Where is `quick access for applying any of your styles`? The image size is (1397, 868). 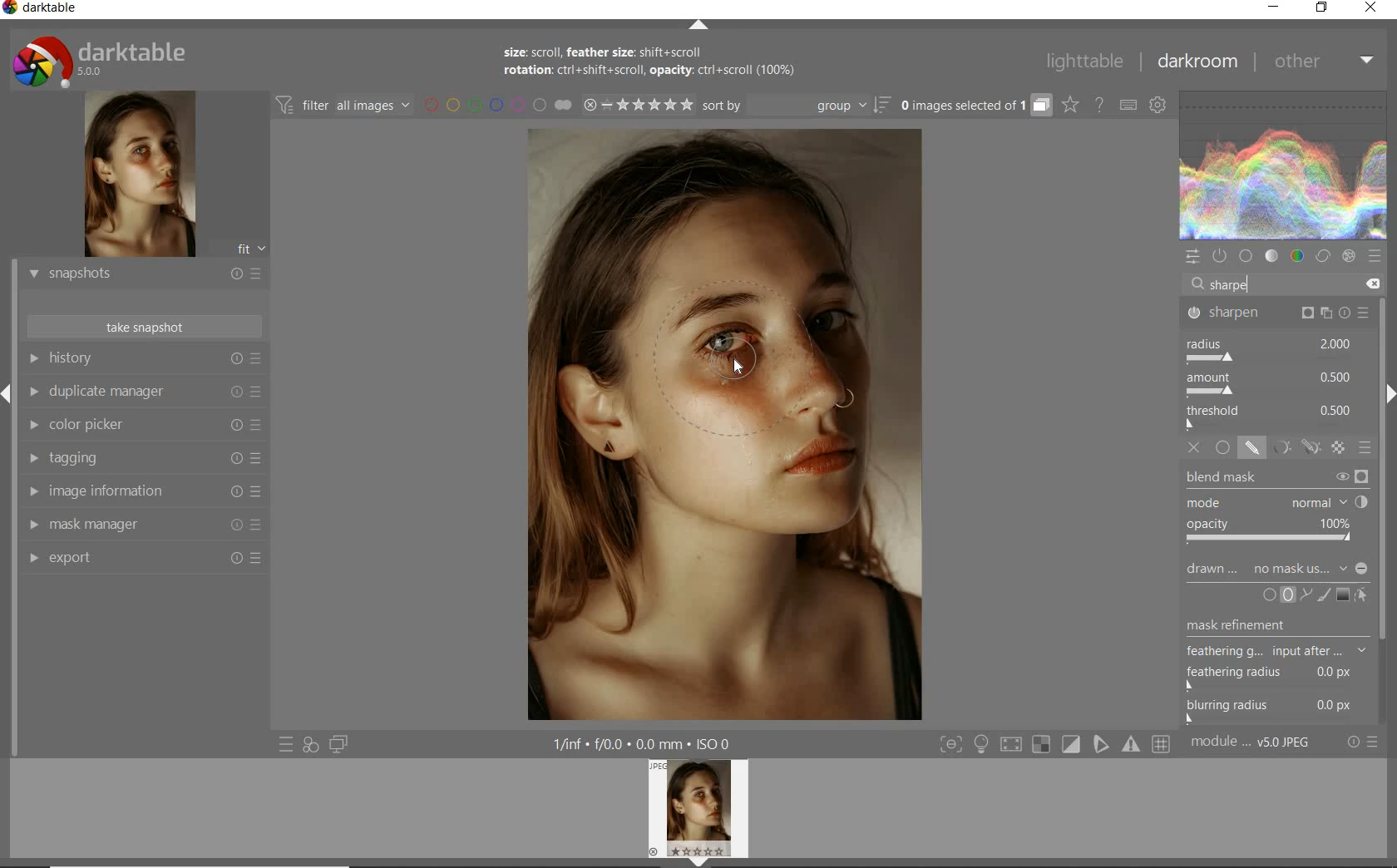
quick access for applying any of your styles is located at coordinates (309, 745).